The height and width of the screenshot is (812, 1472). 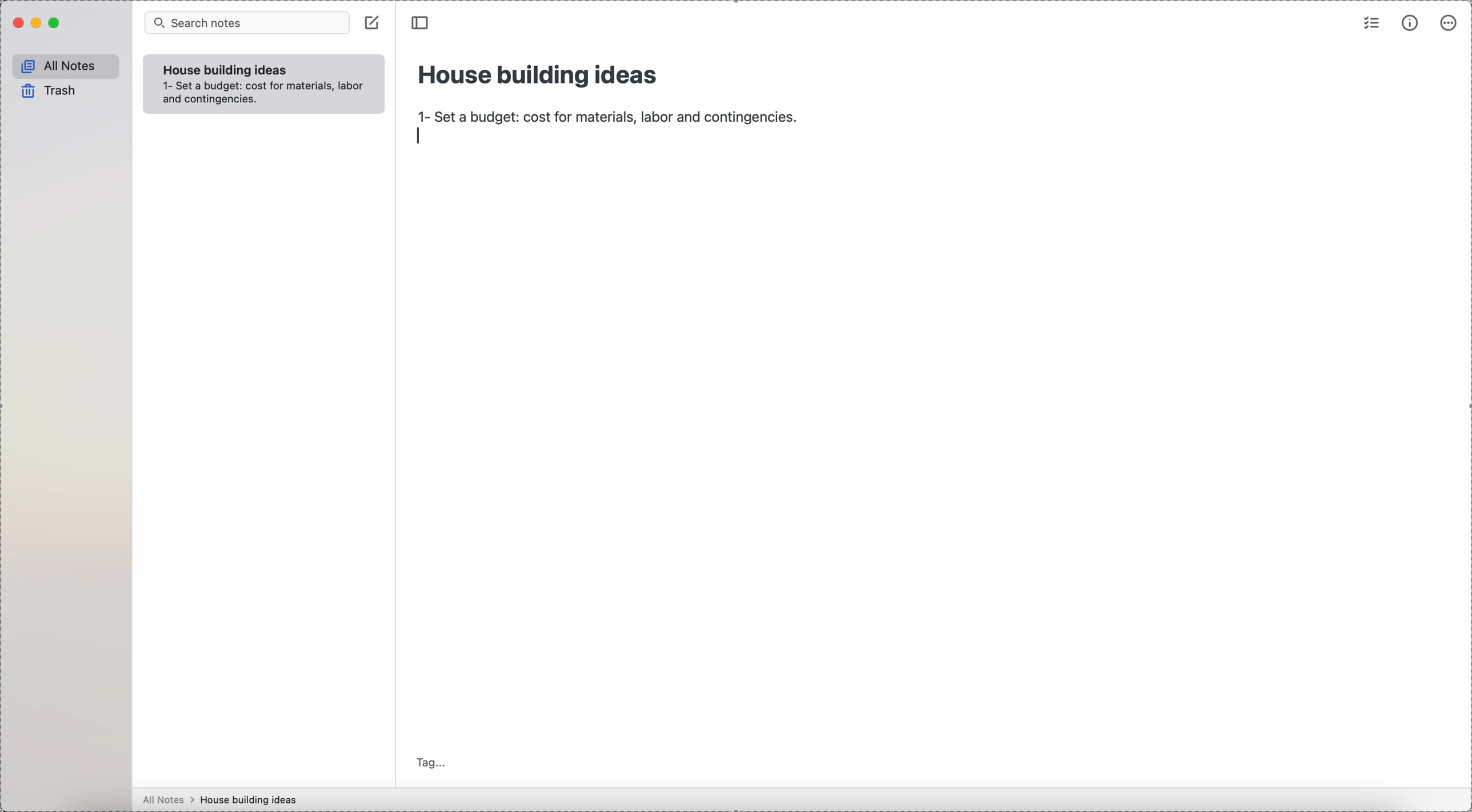 What do you see at coordinates (226, 71) in the screenshot?
I see `house building ideas` at bounding box center [226, 71].